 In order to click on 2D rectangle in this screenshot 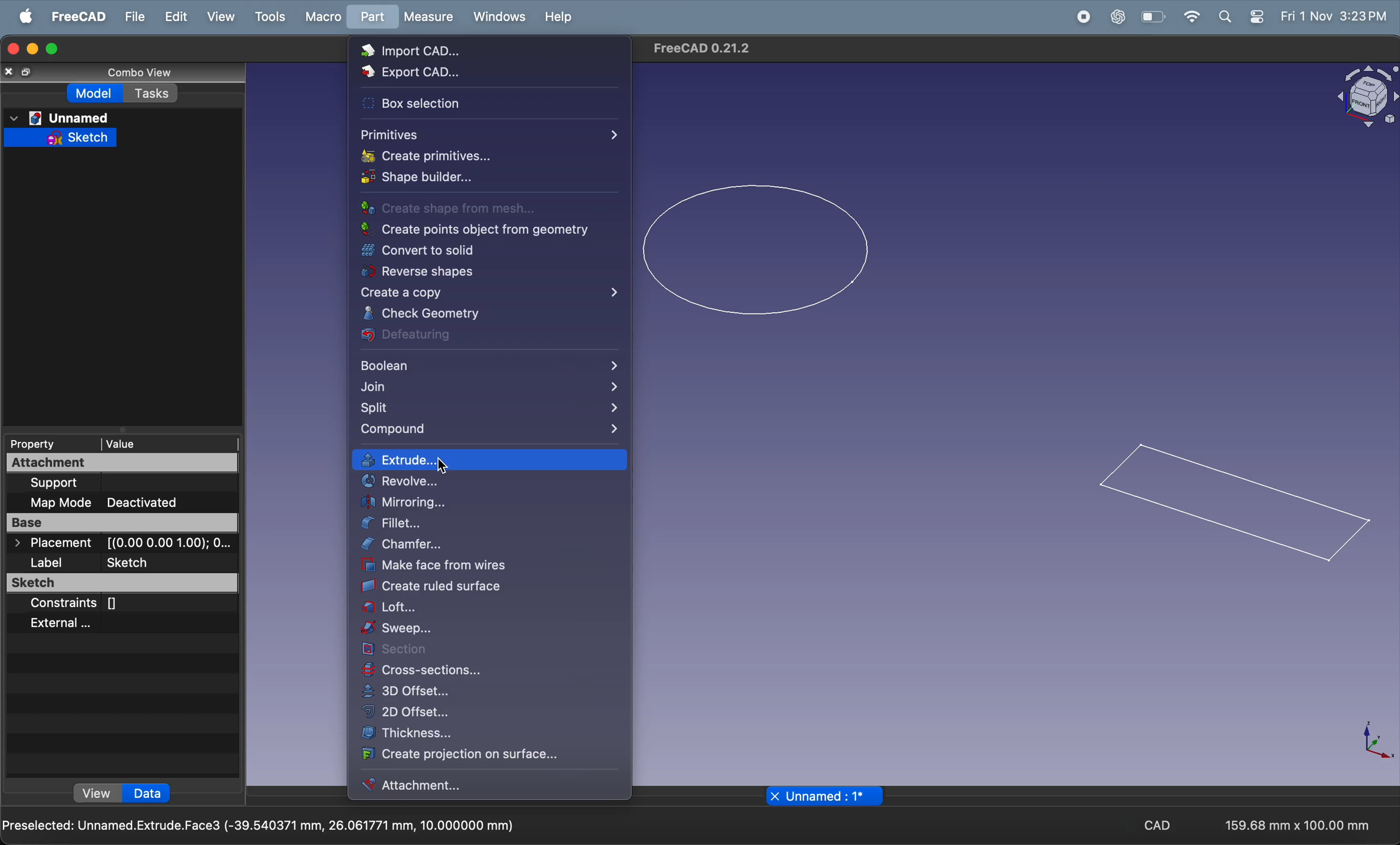, I will do `click(1234, 507)`.